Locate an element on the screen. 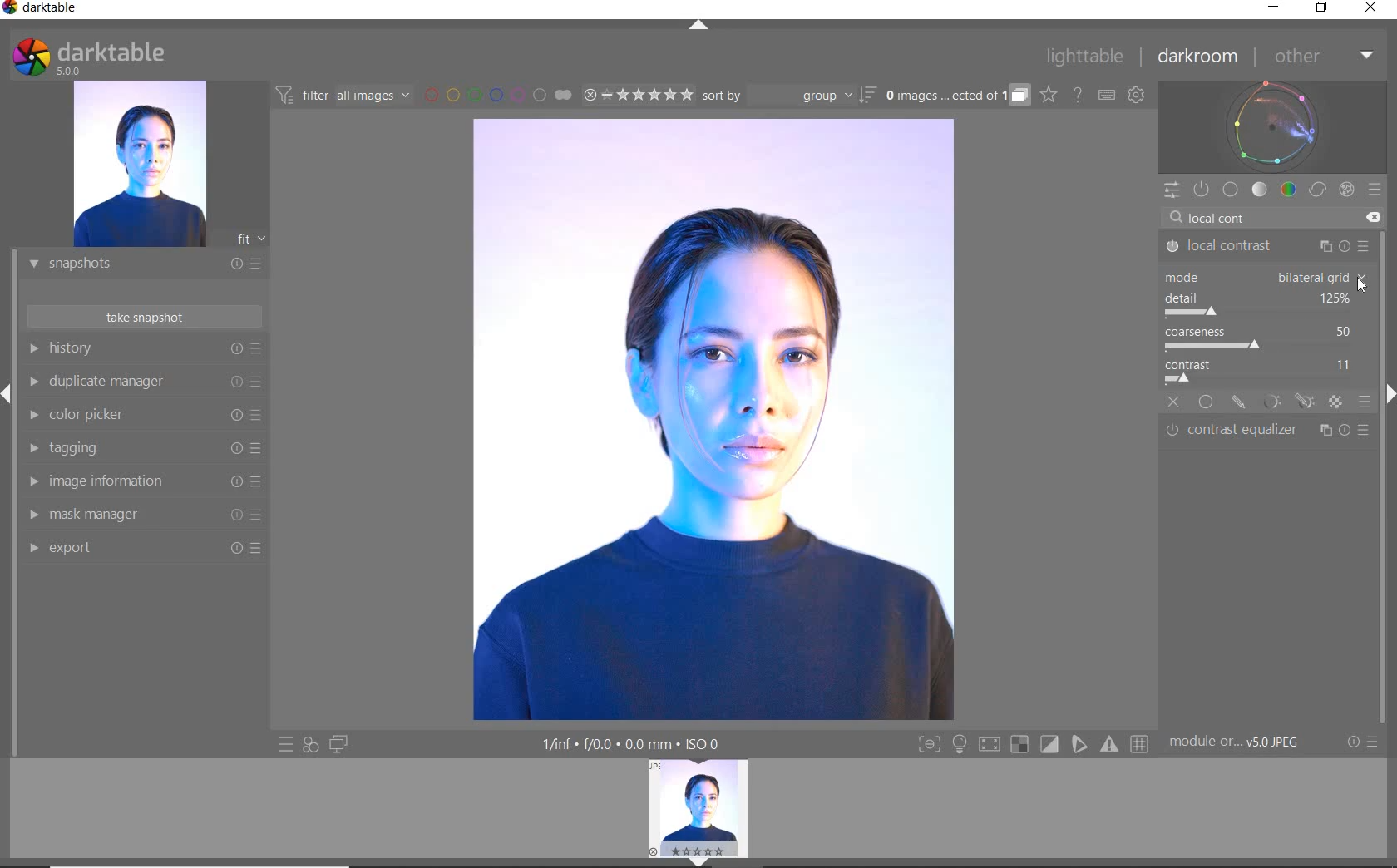 This screenshot has width=1397, height=868. Button is located at coordinates (1019, 745).